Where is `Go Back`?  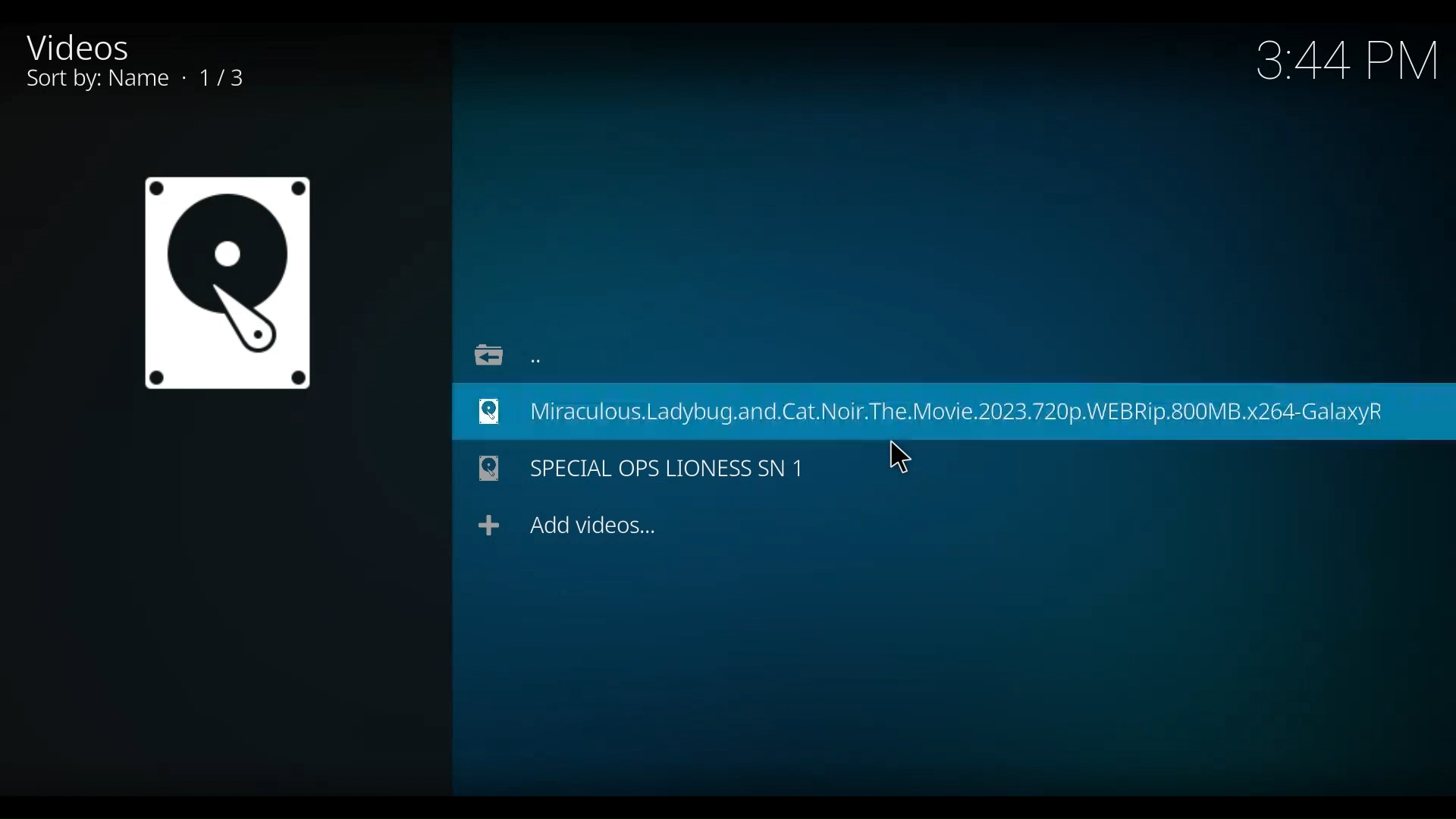
Go Back is located at coordinates (502, 352).